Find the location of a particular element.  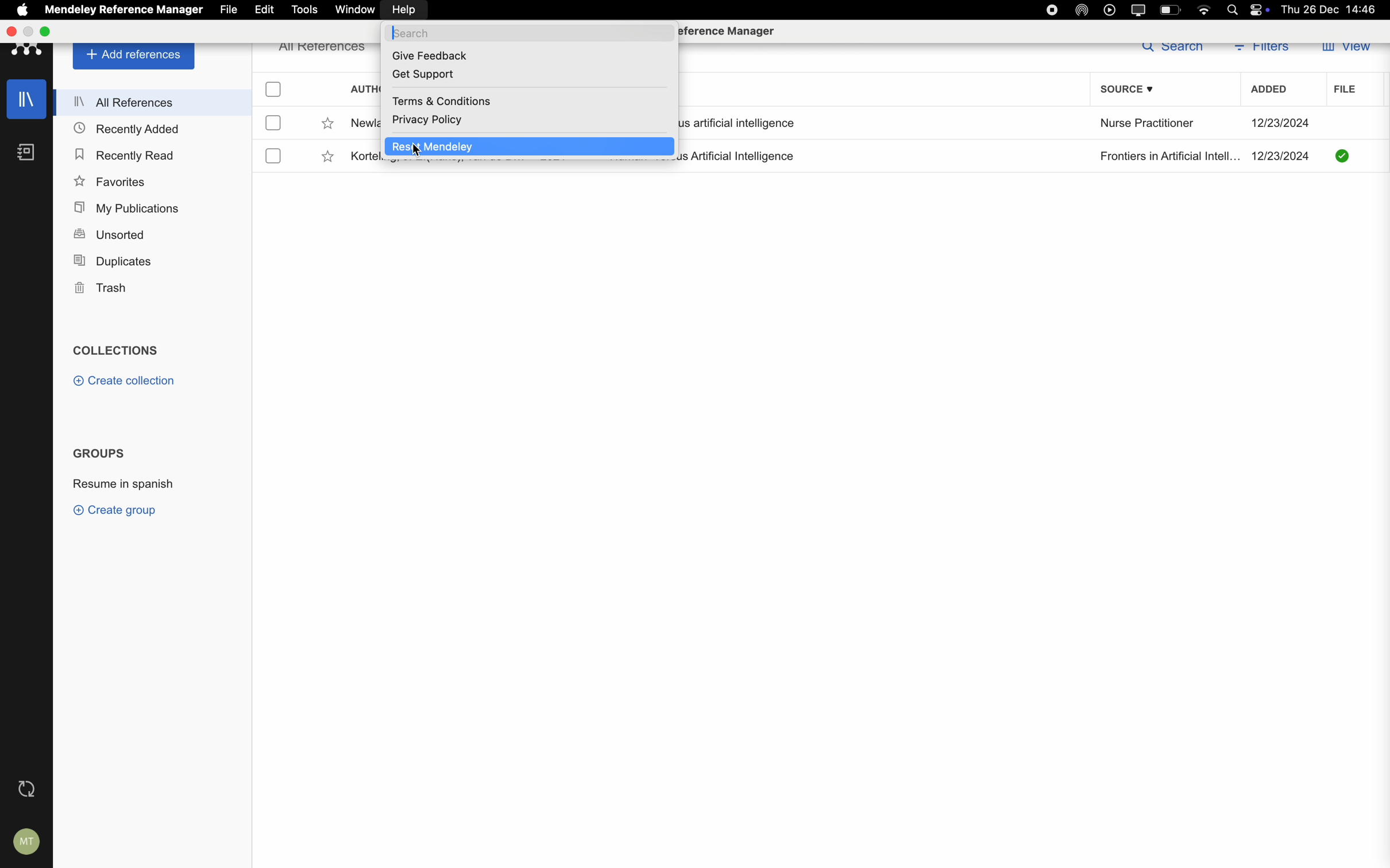

battery is located at coordinates (1171, 10).